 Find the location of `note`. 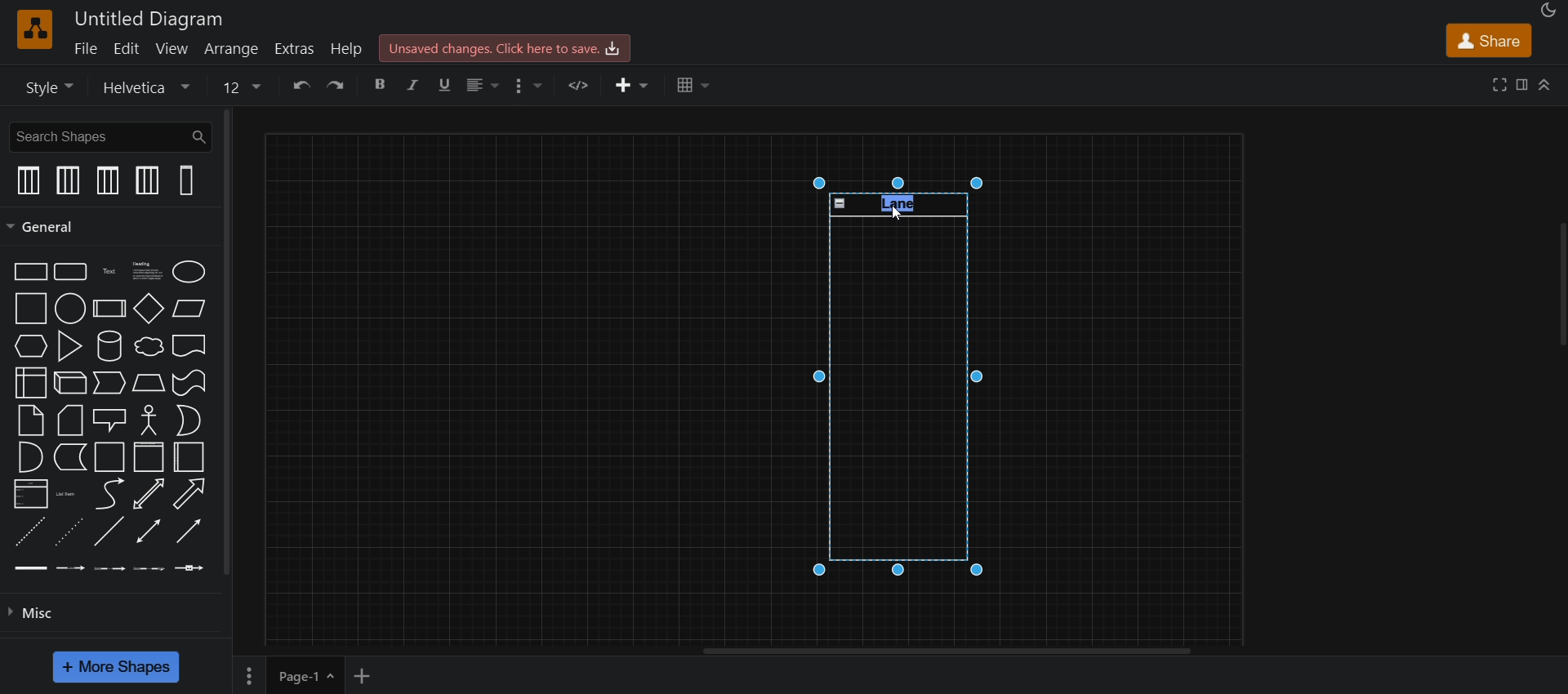

note is located at coordinates (32, 421).